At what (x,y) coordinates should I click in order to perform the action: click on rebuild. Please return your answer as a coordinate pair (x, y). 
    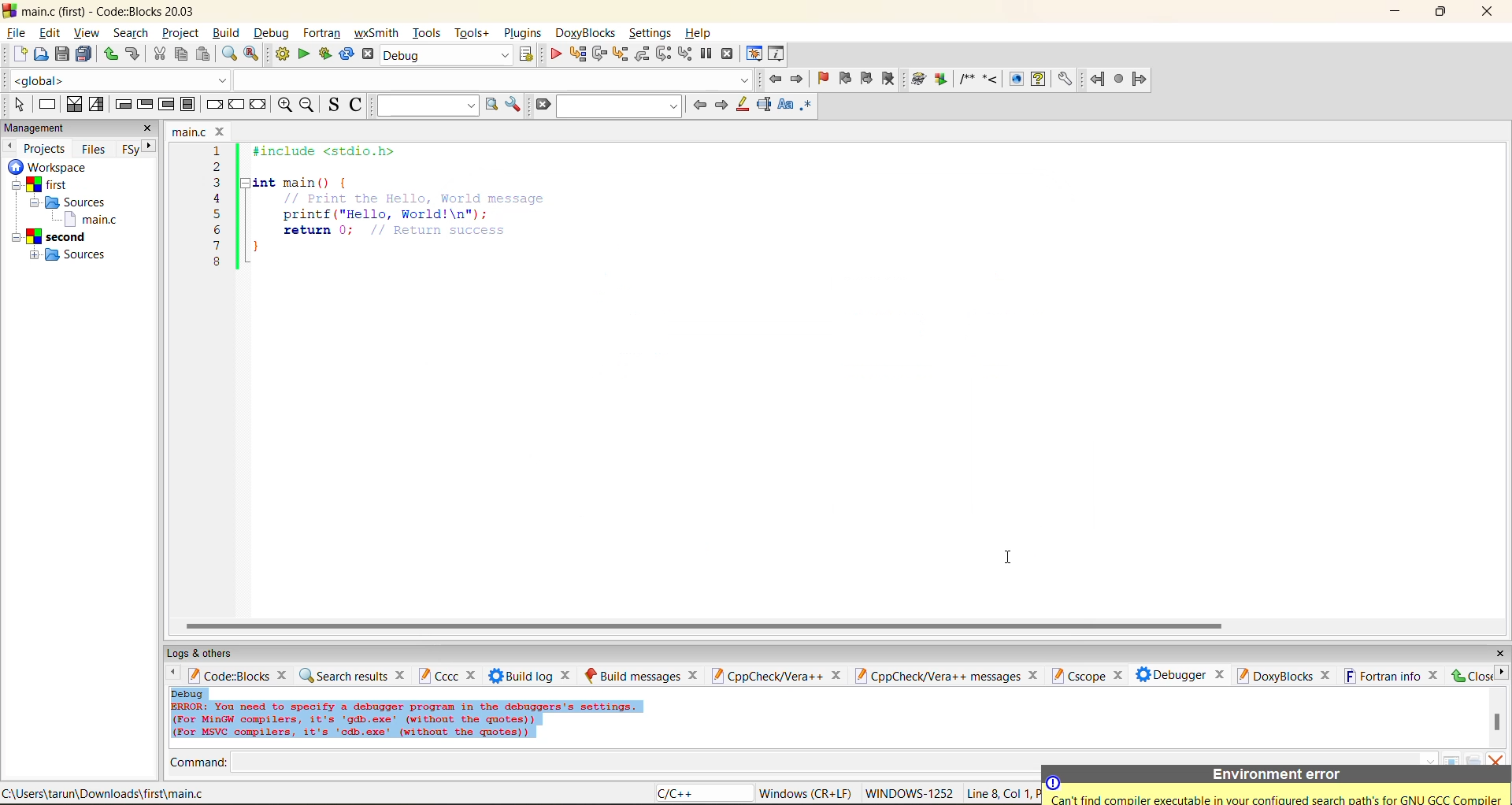
    Looking at the image, I should click on (346, 54).